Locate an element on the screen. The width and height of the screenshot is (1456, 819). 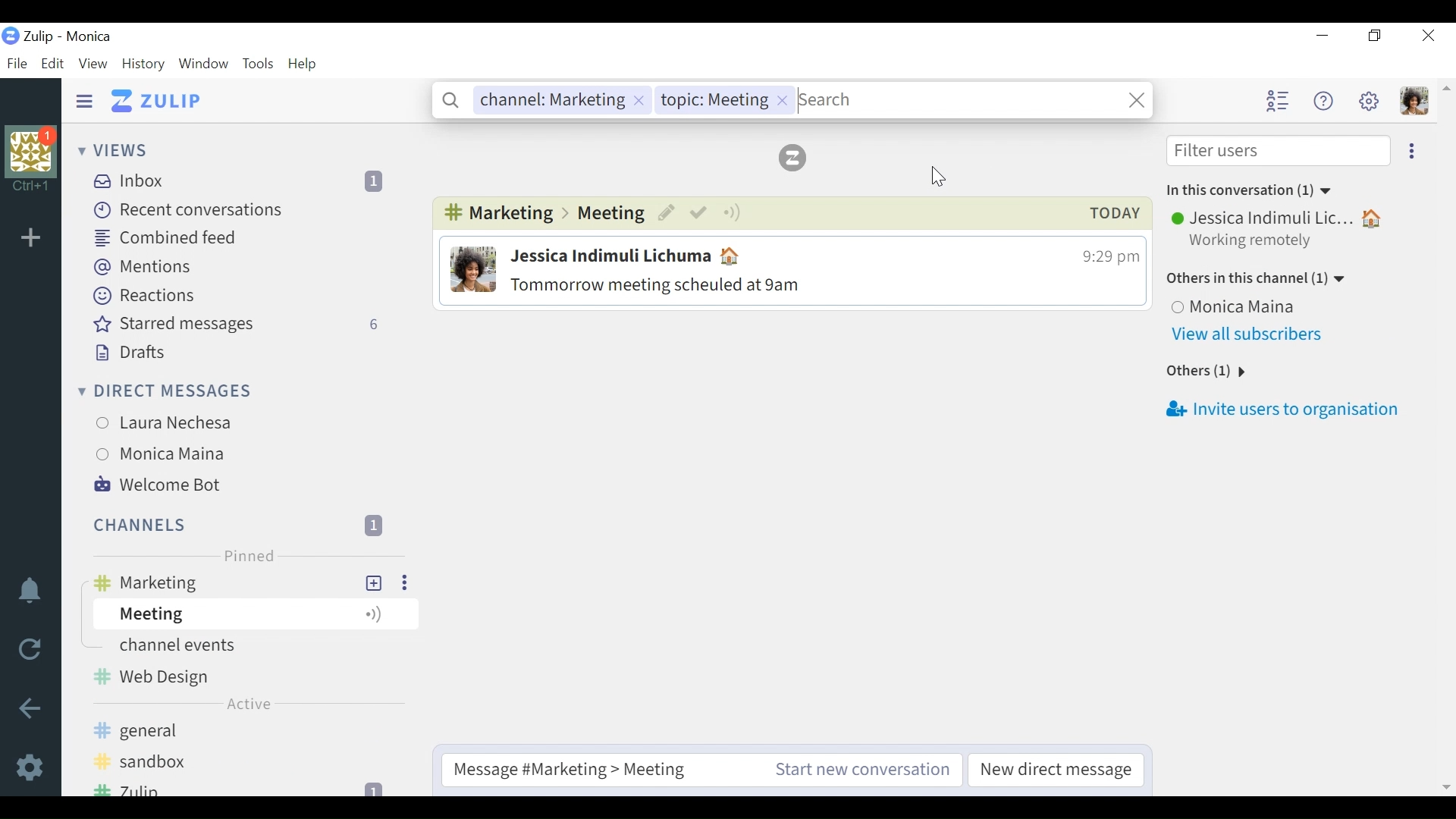
Monica Maina is located at coordinates (202, 456).